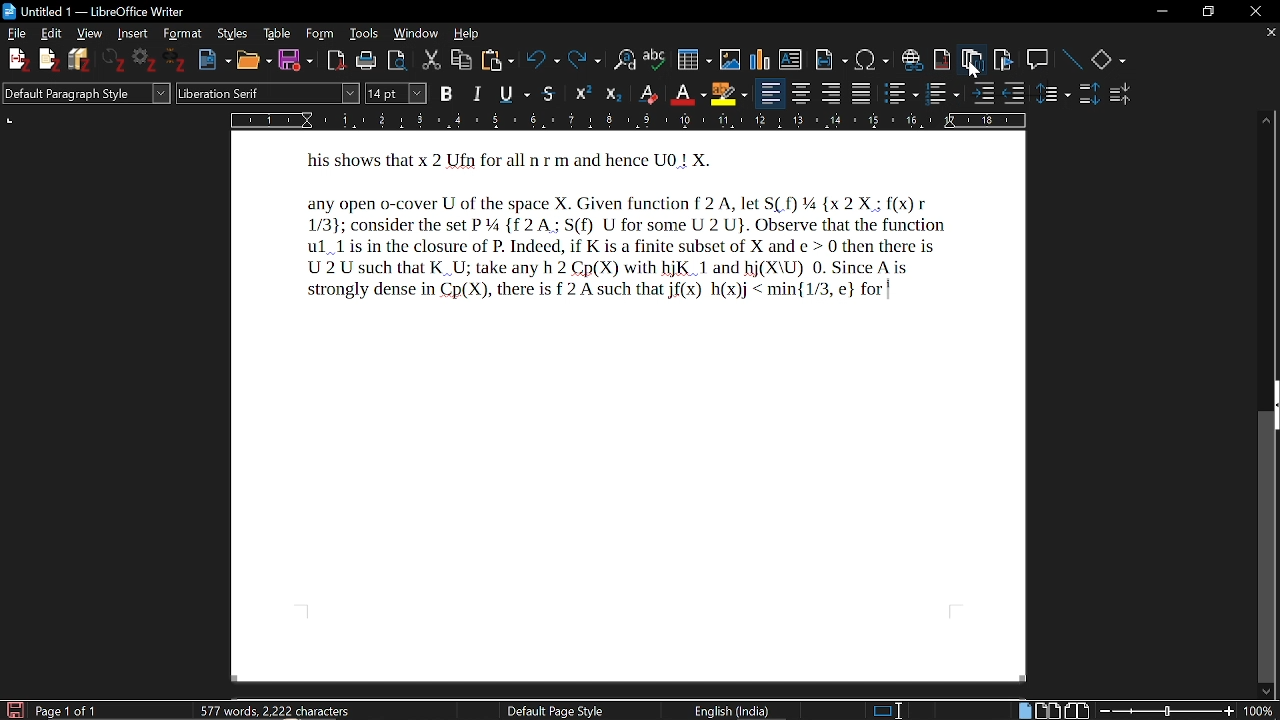 This screenshot has height=720, width=1280. What do you see at coordinates (1269, 34) in the screenshot?
I see `Close current tab` at bounding box center [1269, 34].